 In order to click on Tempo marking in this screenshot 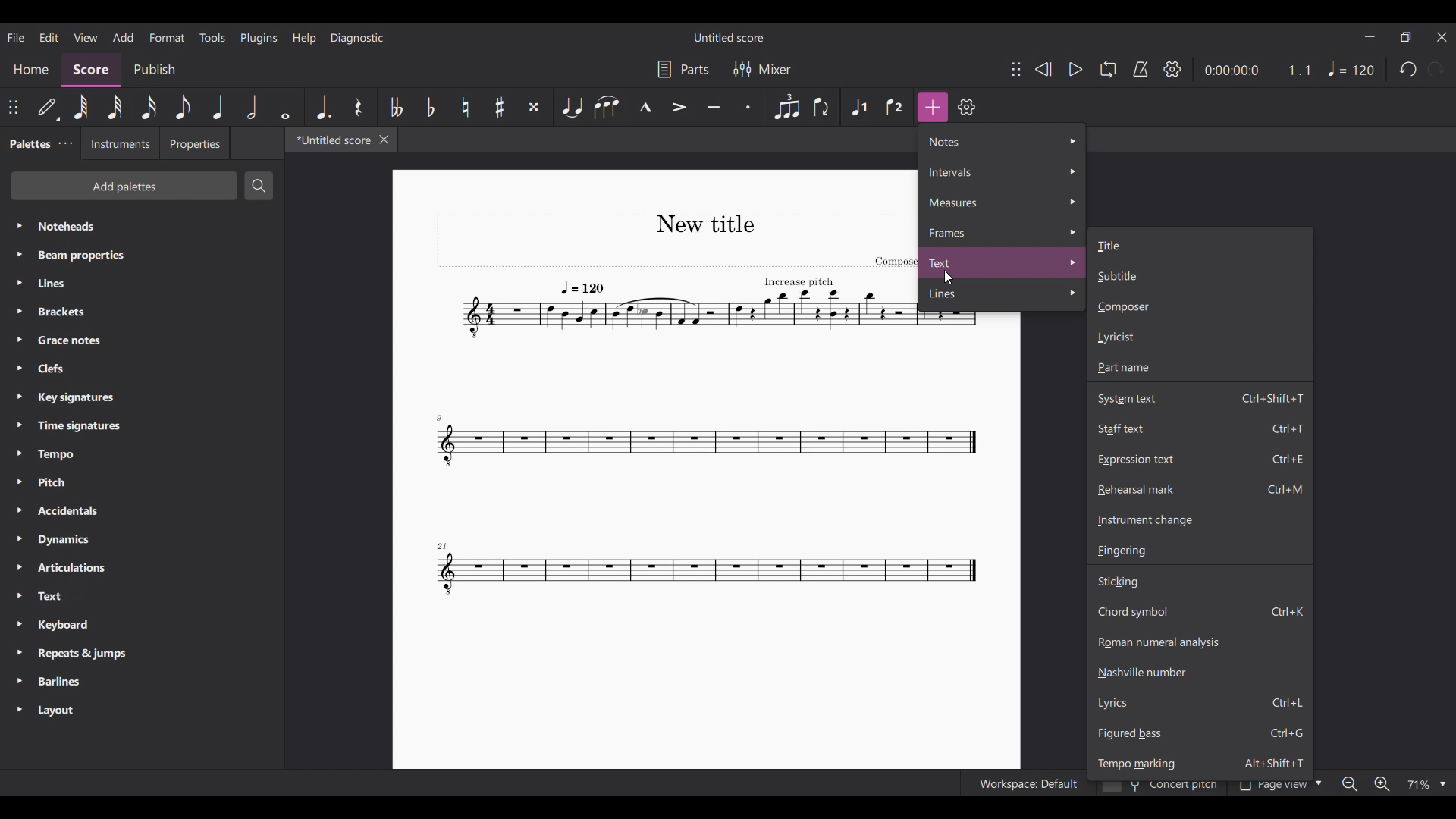, I will do `click(1200, 763)`.